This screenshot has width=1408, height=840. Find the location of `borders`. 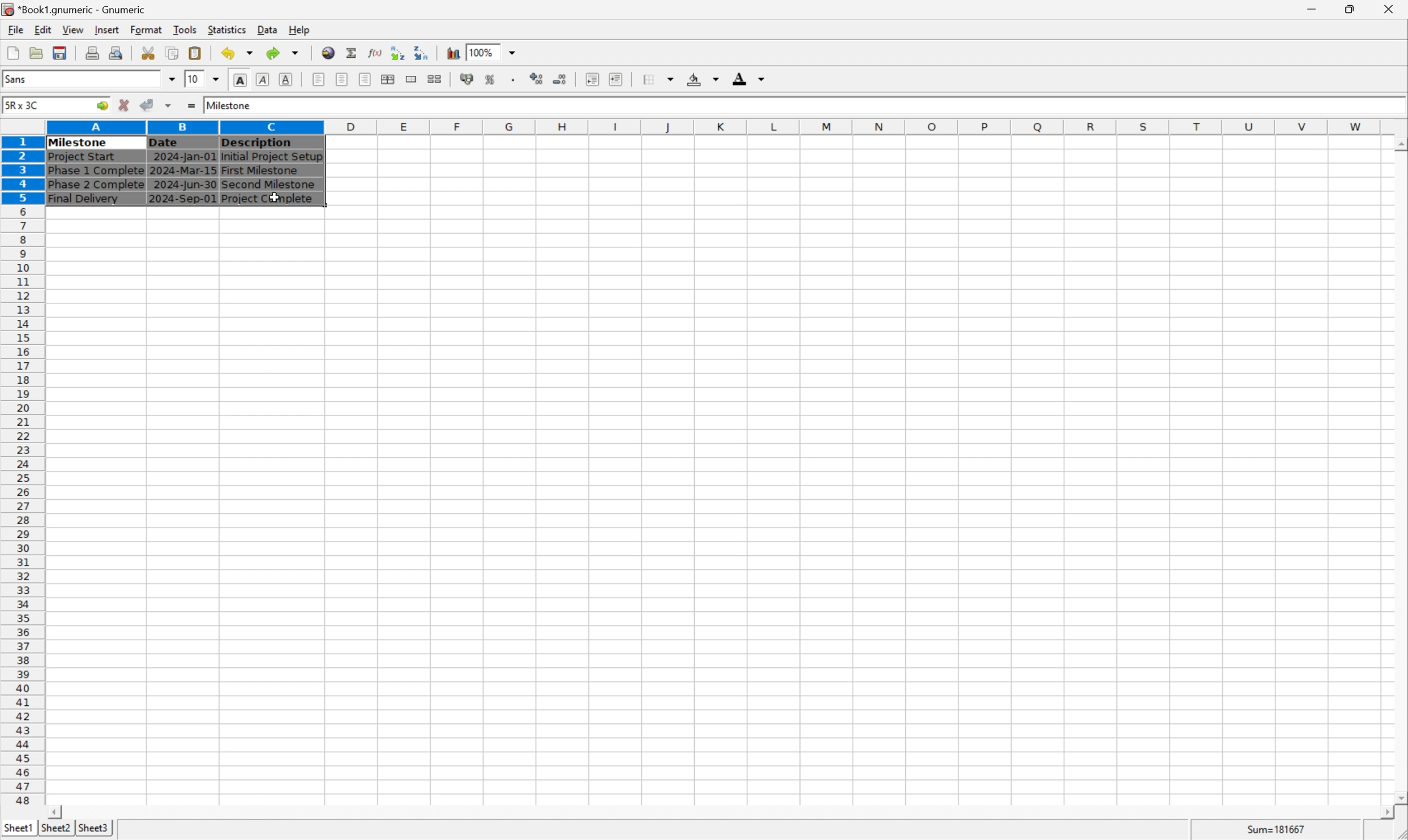

borders is located at coordinates (663, 79).